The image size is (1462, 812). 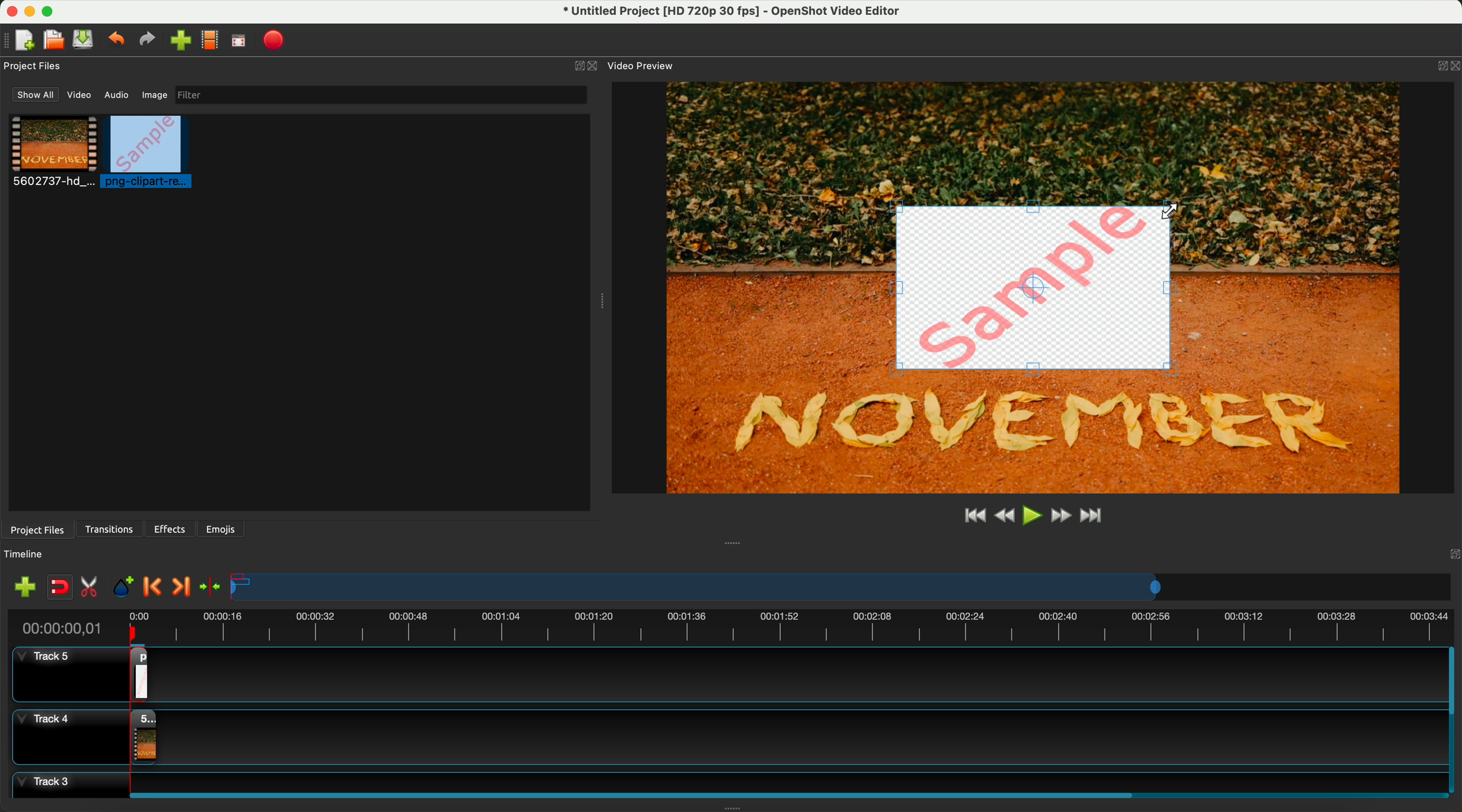 What do you see at coordinates (153, 96) in the screenshot?
I see `image` at bounding box center [153, 96].